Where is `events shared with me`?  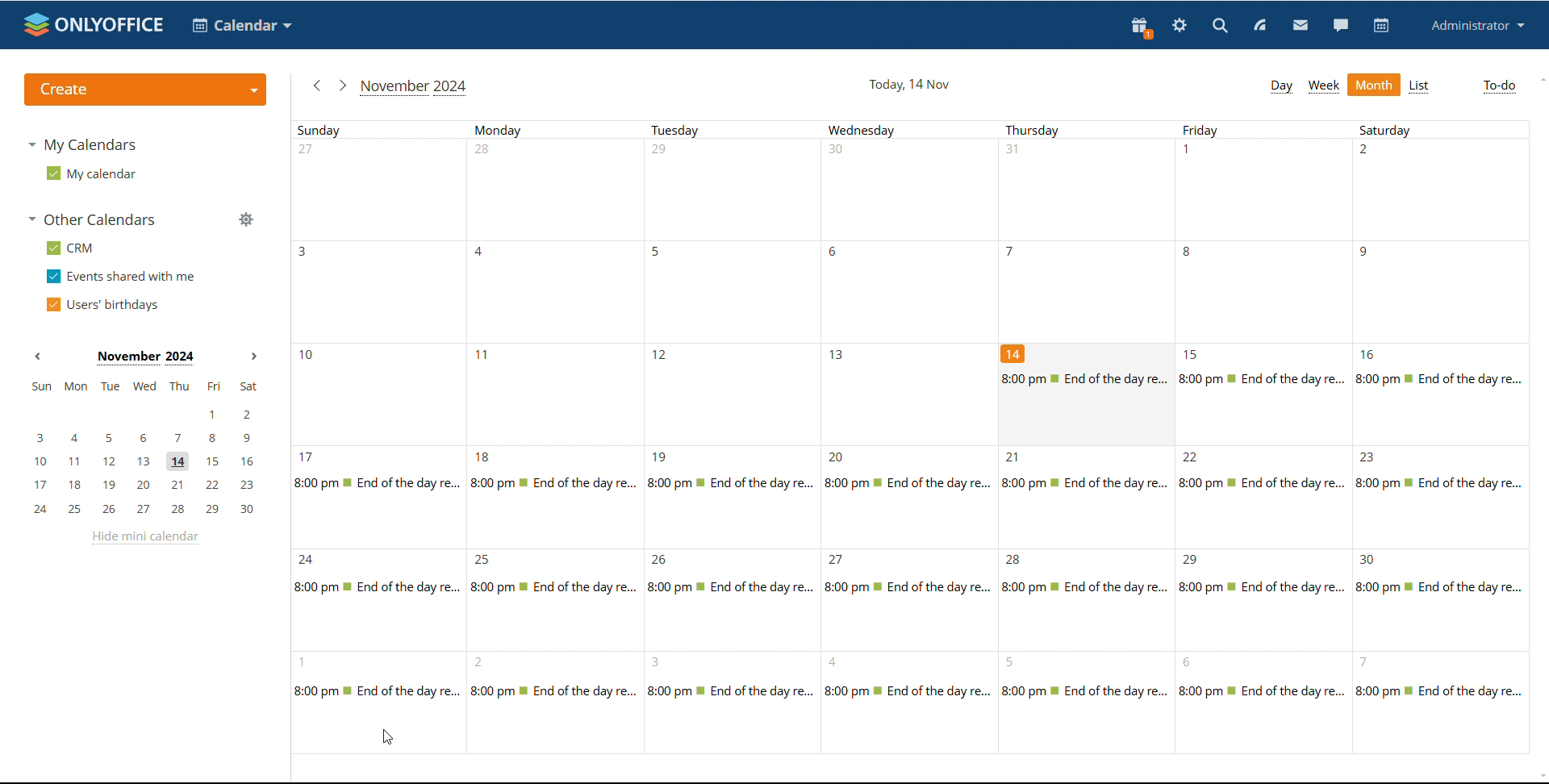 events shared with me is located at coordinates (123, 276).